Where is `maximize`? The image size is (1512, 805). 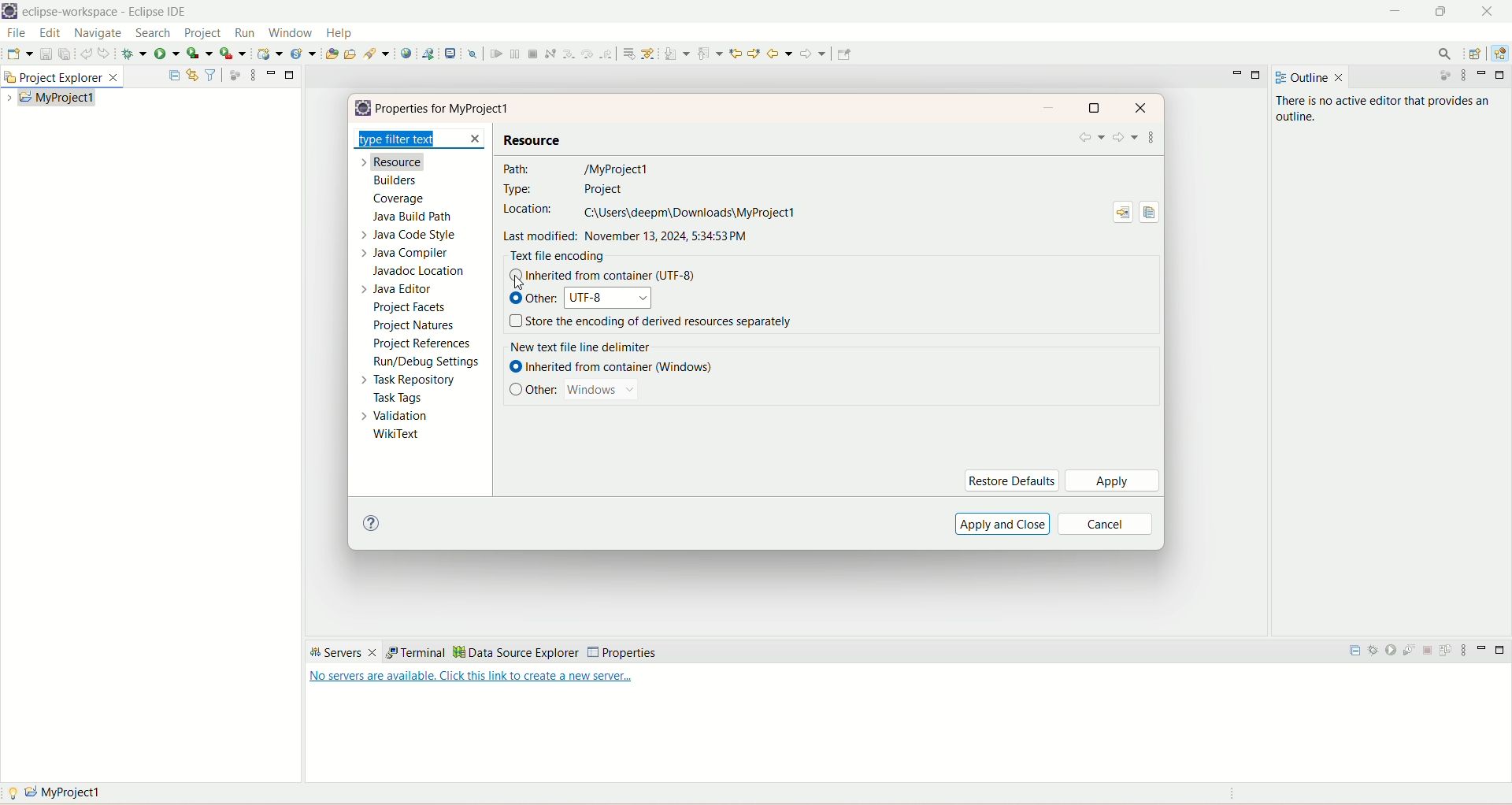
maximize is located at coordinates (1093, 108).